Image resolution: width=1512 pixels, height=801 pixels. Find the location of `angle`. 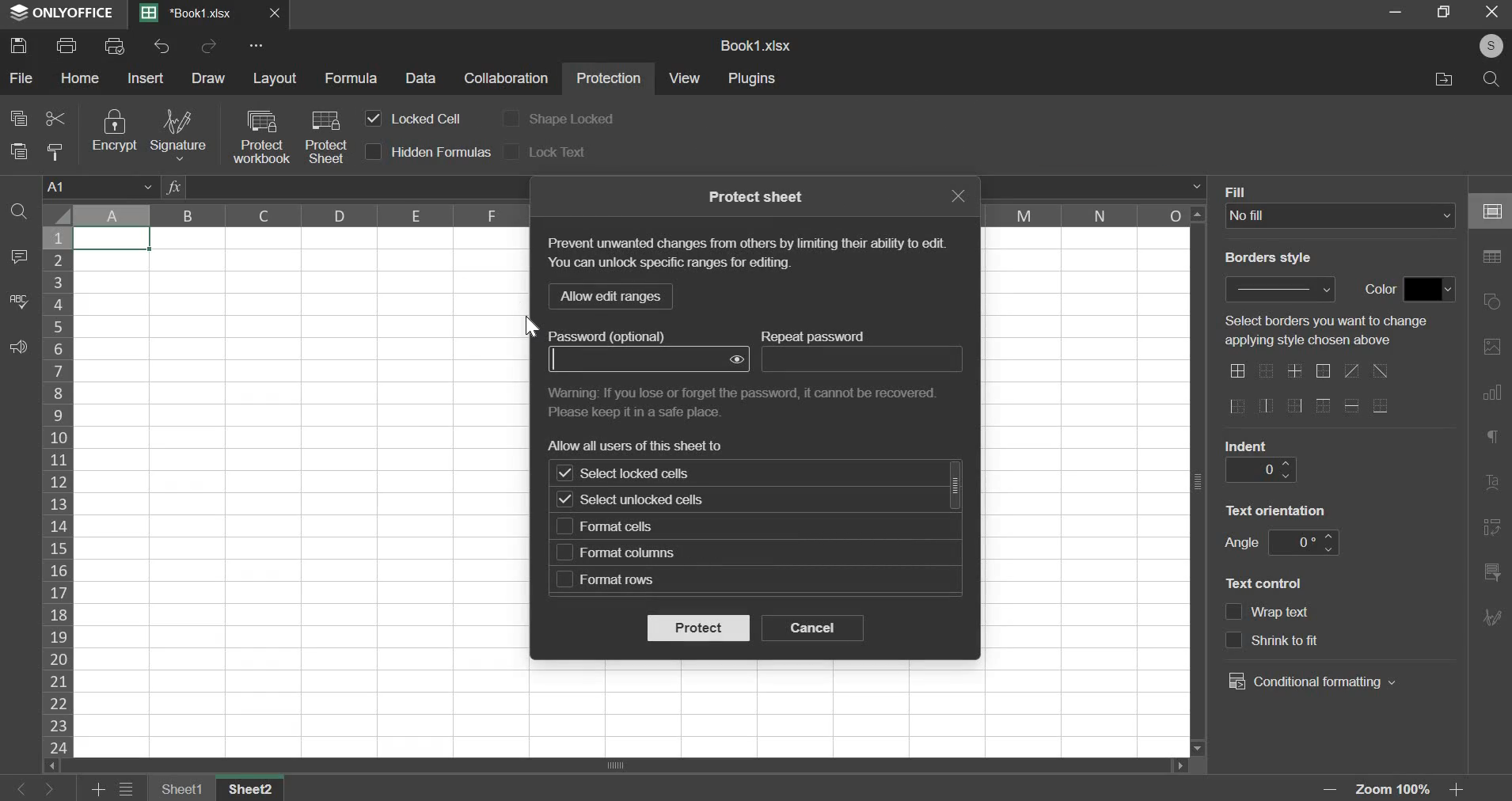

angle is located at coordinates (1301, 543).